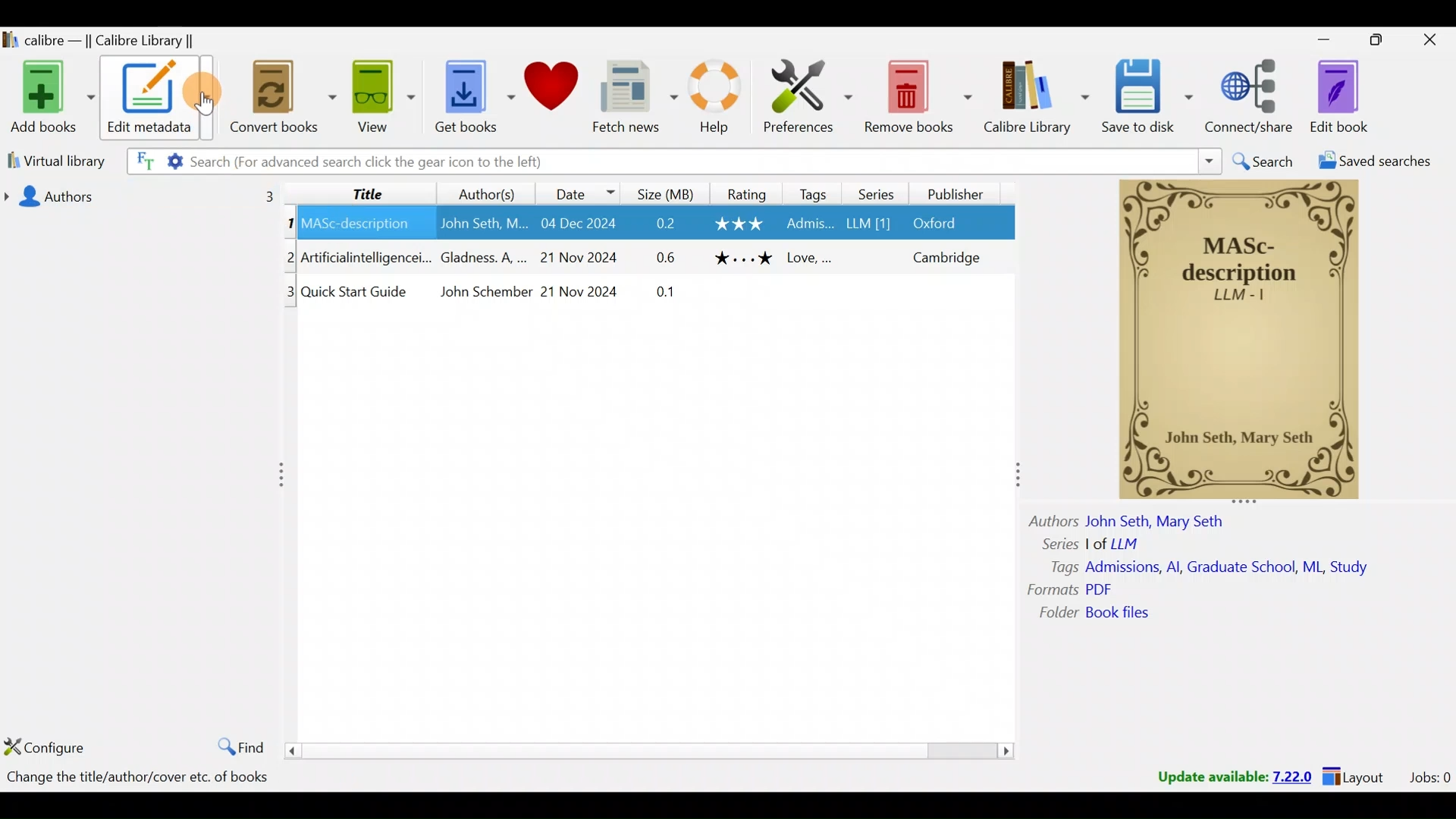  What do you see at coordinates (1055, 613) in the screenshot?
I see `` at bounding box center [1055, 613].